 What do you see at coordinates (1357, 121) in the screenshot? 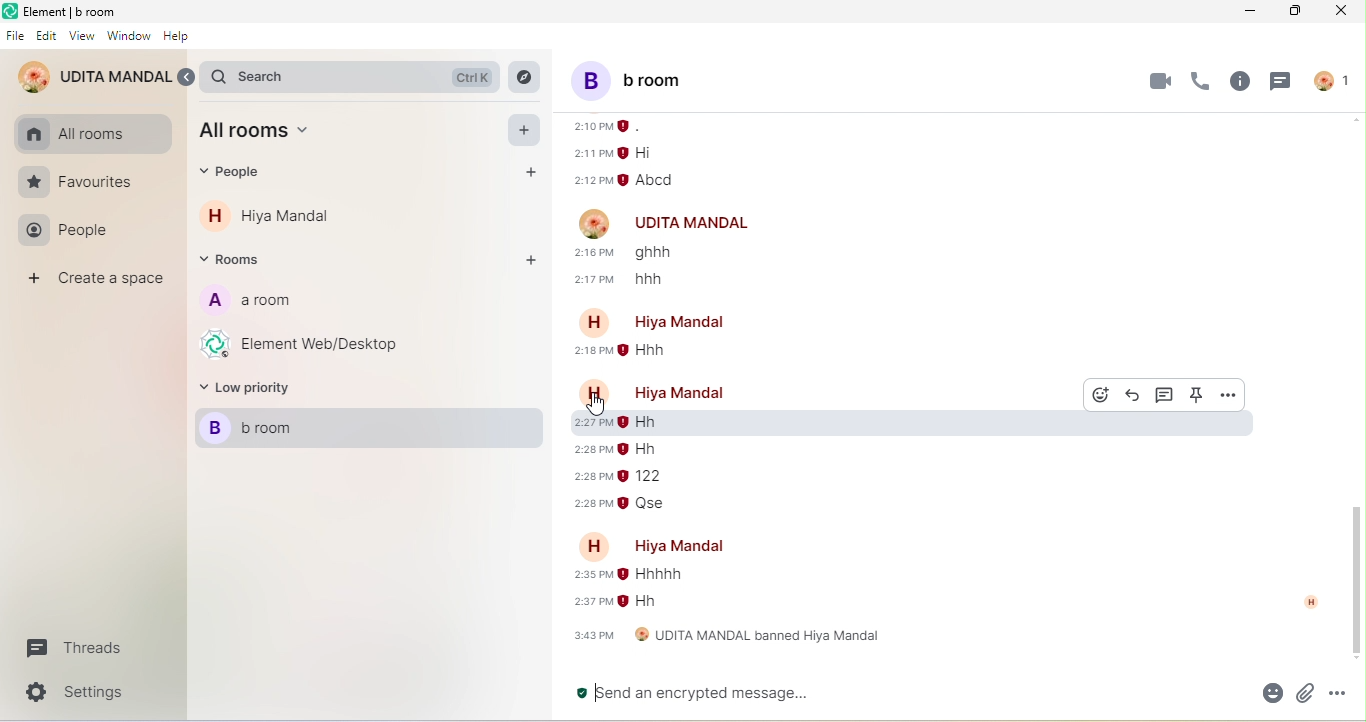
I see `scroll up` at bounding box center [1357, 121].